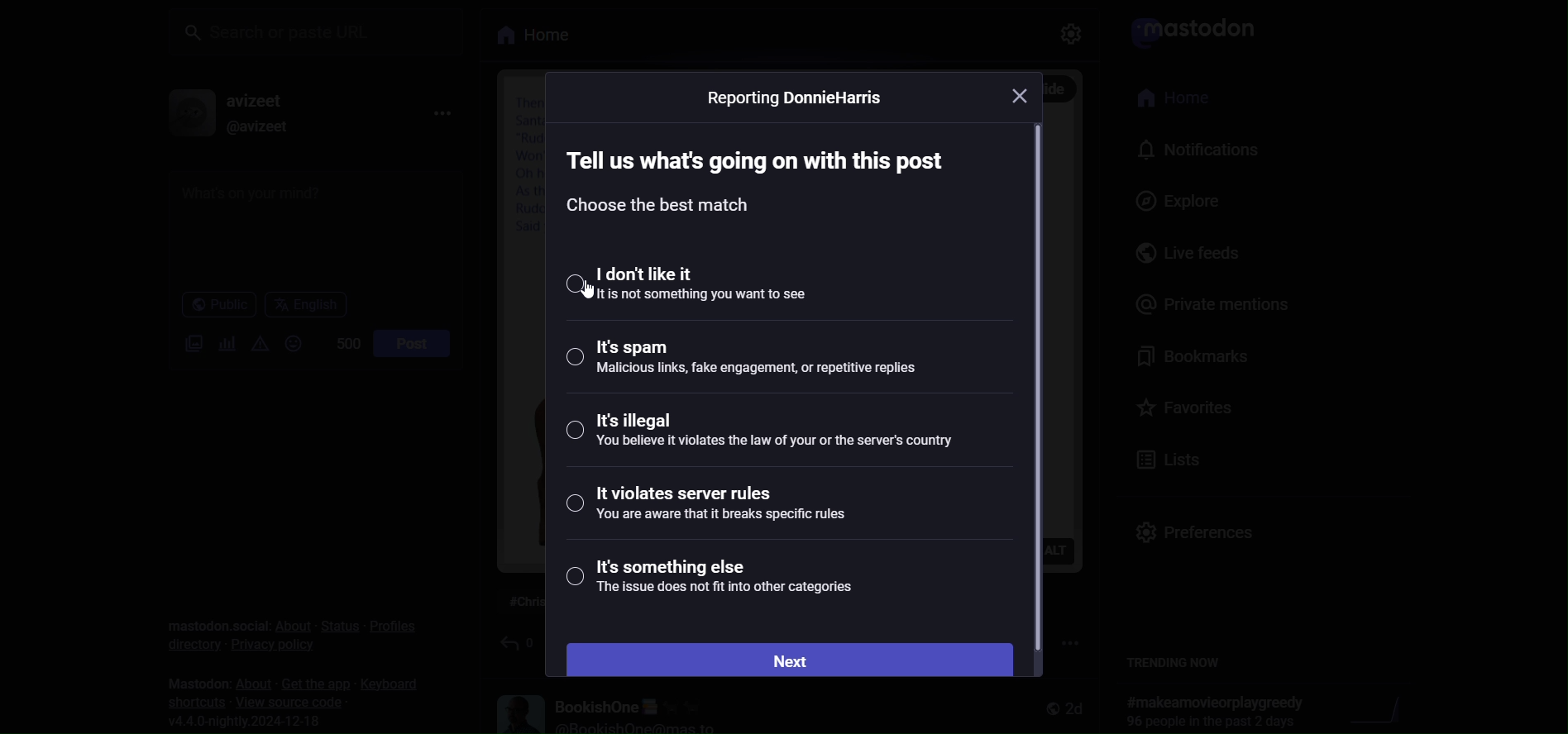 The height and width of the screenshot is (734, 1568). What do you see at coordinates (1026, 94) in the screenshot?
I see `close` at bounding box center [1026, 94].